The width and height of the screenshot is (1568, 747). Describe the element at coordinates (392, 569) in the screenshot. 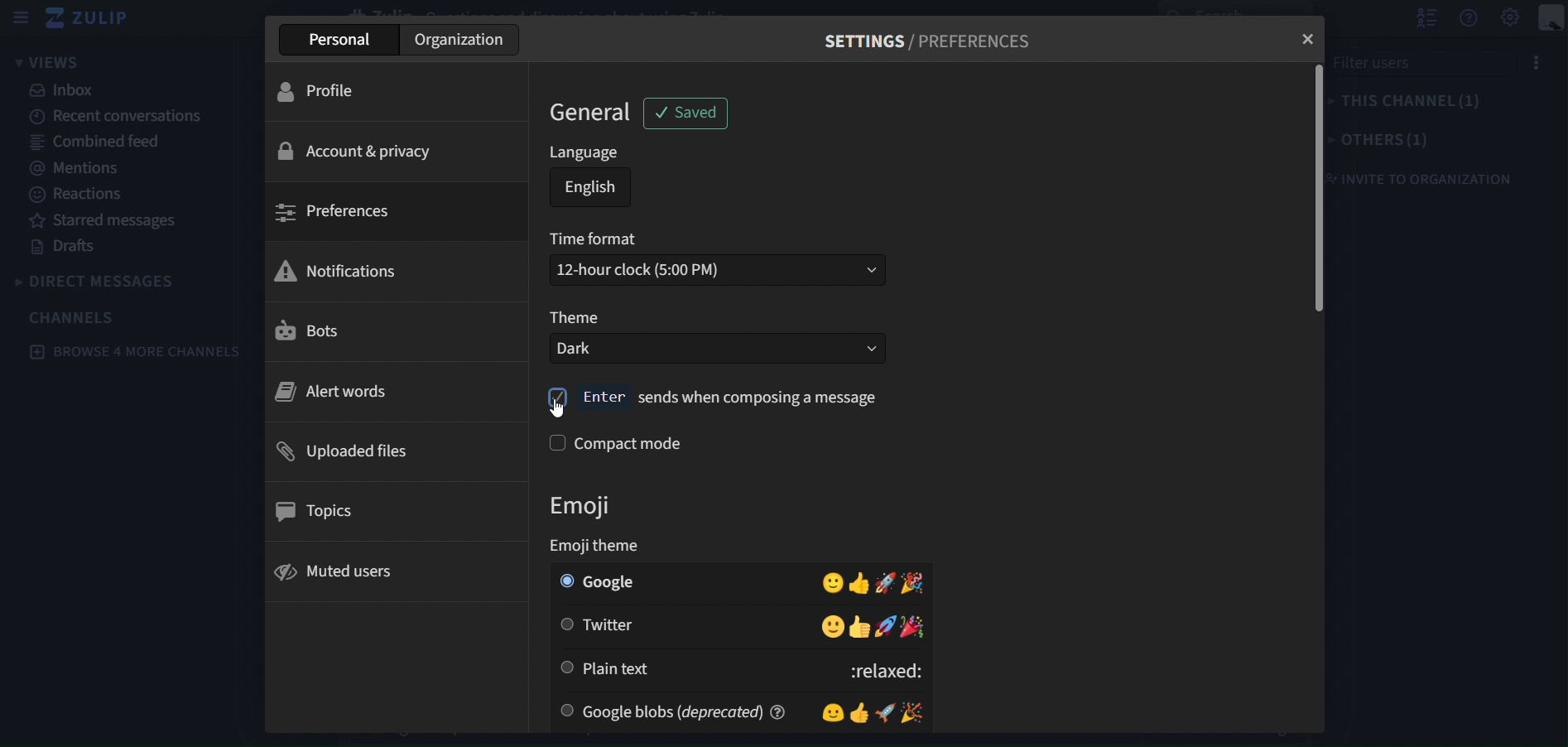

I see `muted users` at that location.